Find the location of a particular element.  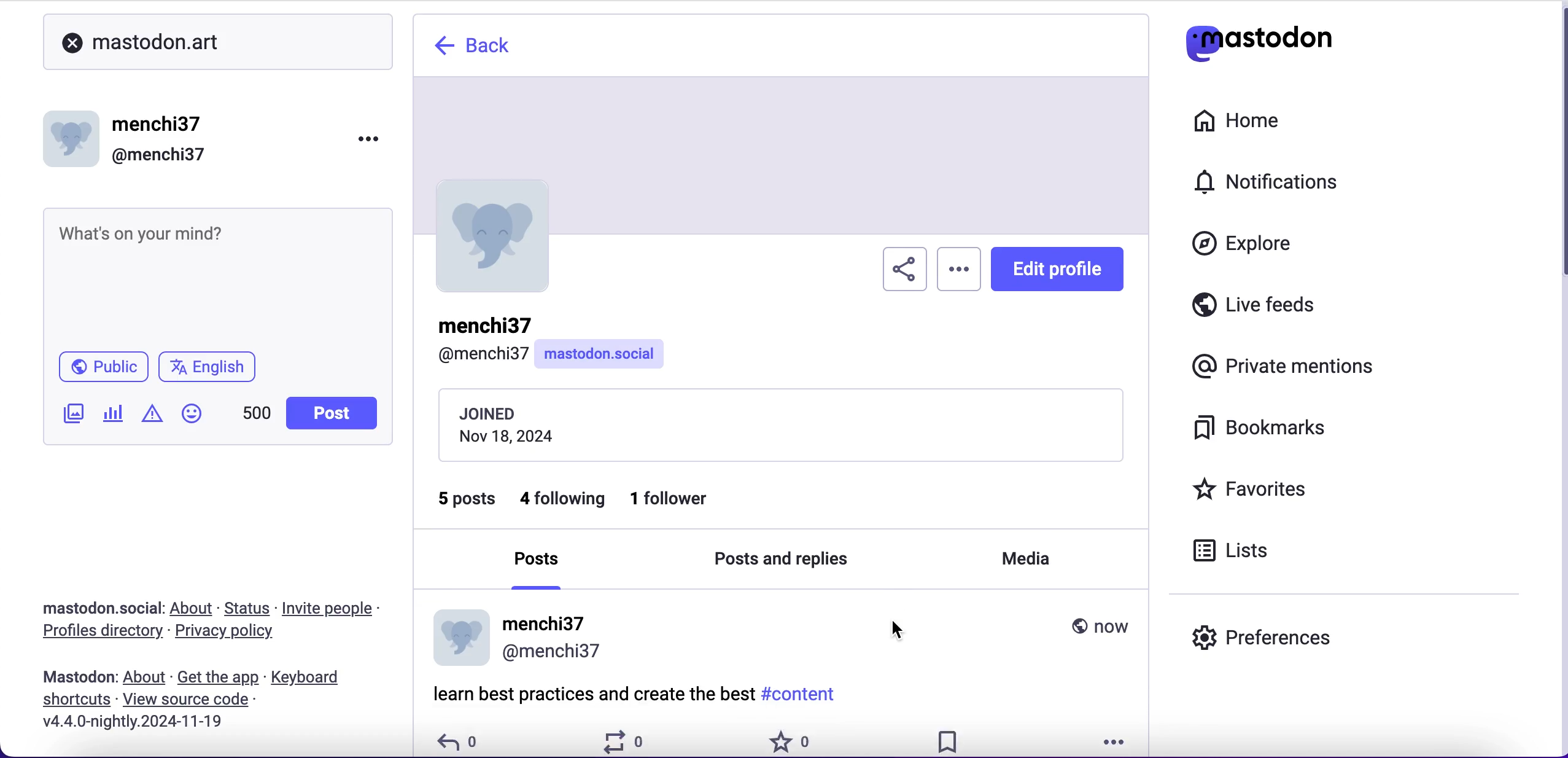

options is located at coordinates (1119, 740).